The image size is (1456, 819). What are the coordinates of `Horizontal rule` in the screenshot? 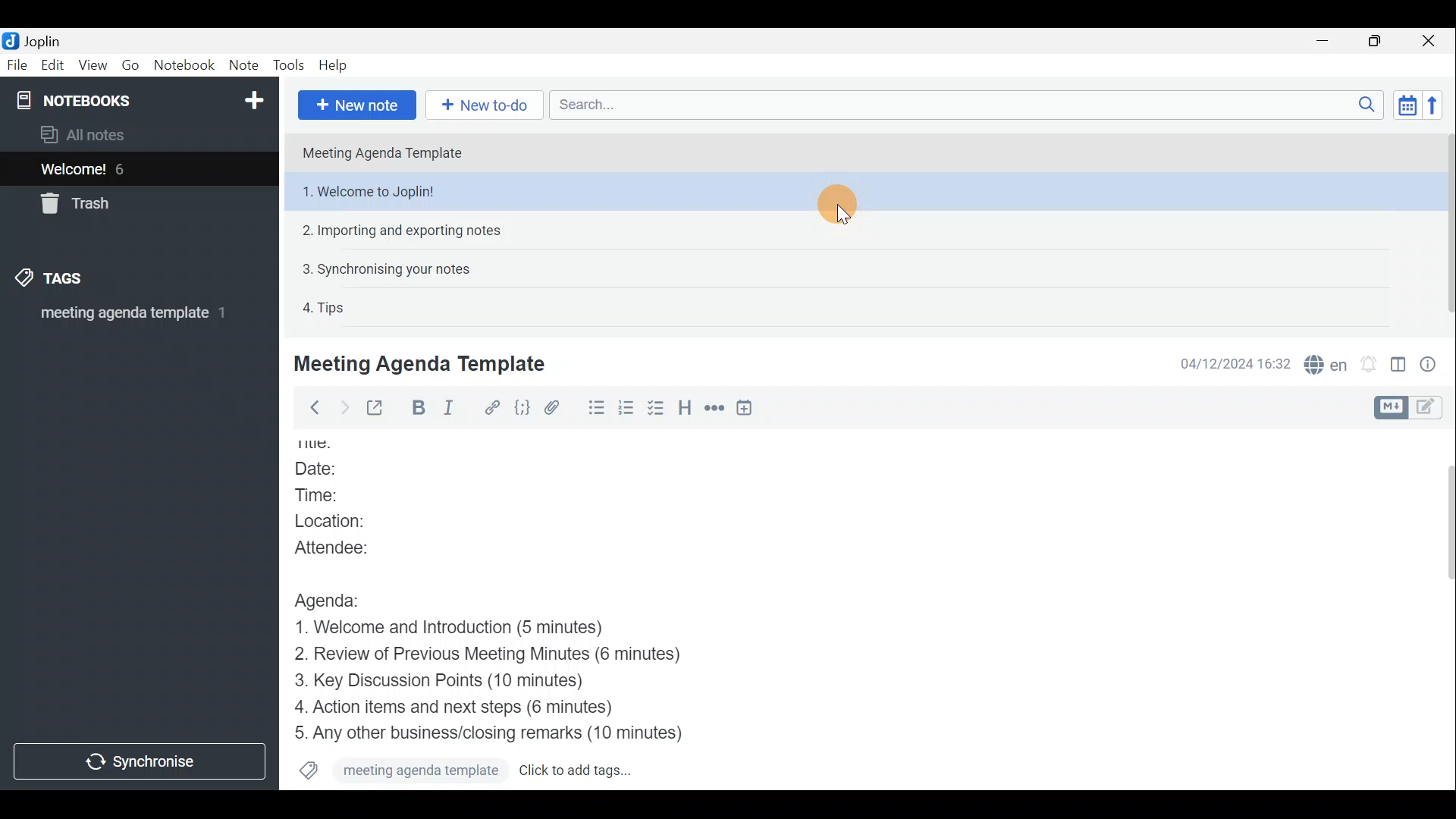 It's located at (716, 410).